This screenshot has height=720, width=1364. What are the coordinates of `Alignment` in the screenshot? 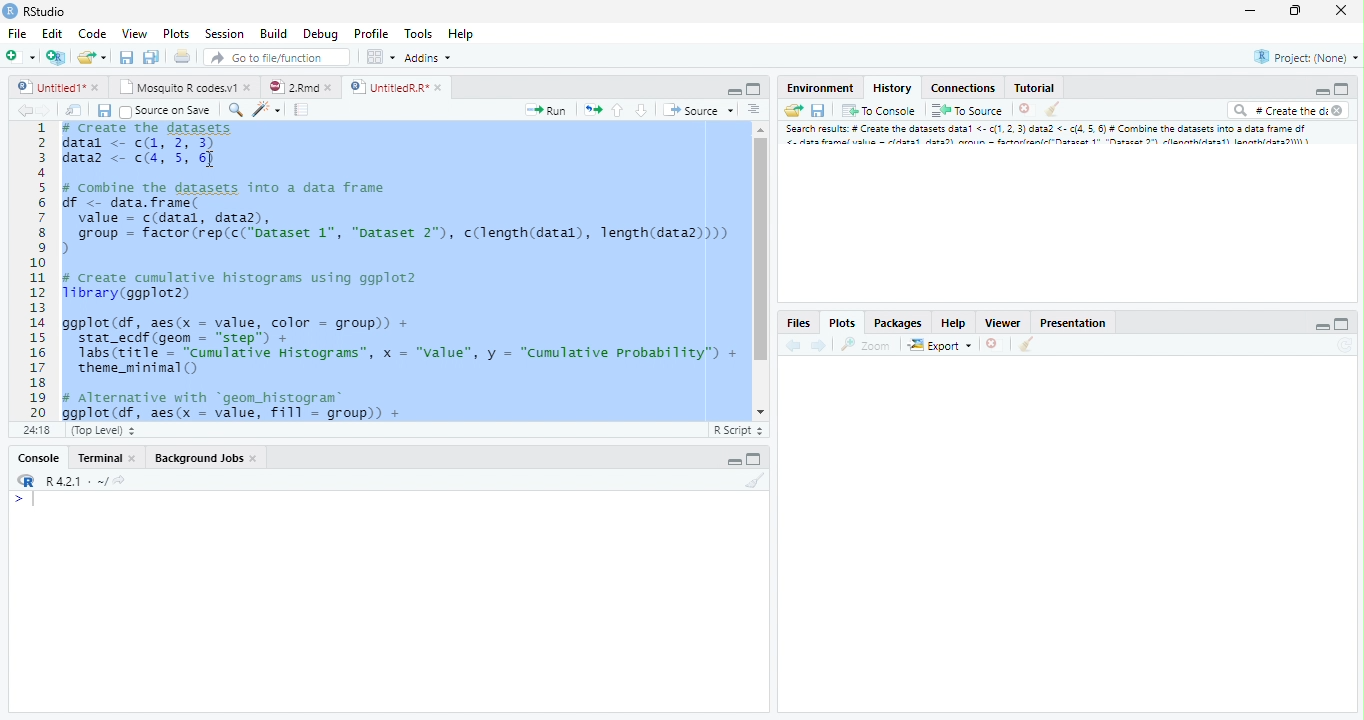 It's located at (755, 113).